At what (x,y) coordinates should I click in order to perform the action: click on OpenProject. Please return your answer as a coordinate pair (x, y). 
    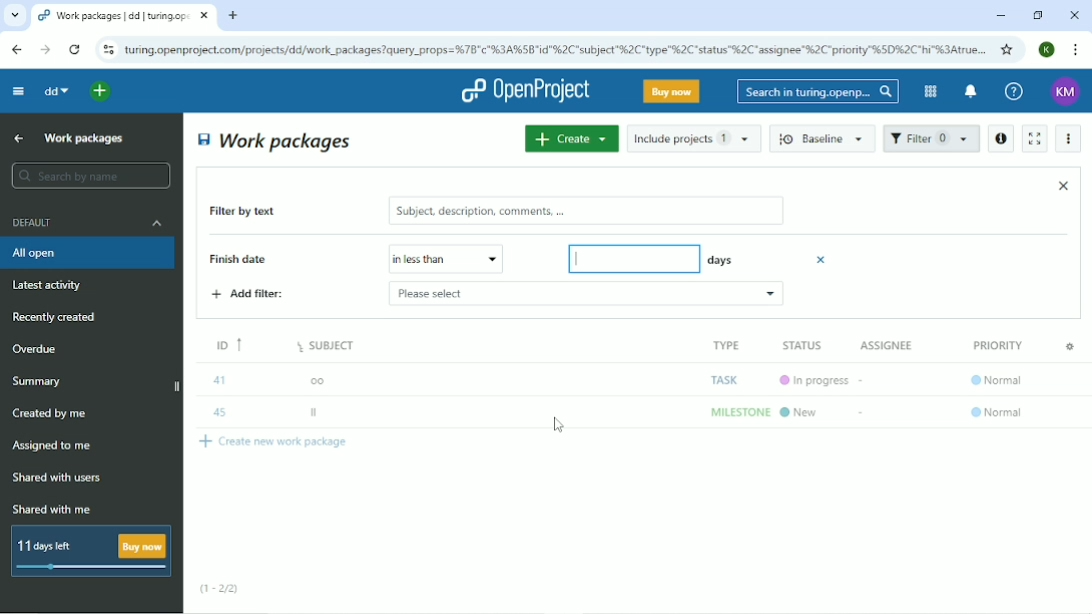
    Looking at the image, I should click on (525, 91).